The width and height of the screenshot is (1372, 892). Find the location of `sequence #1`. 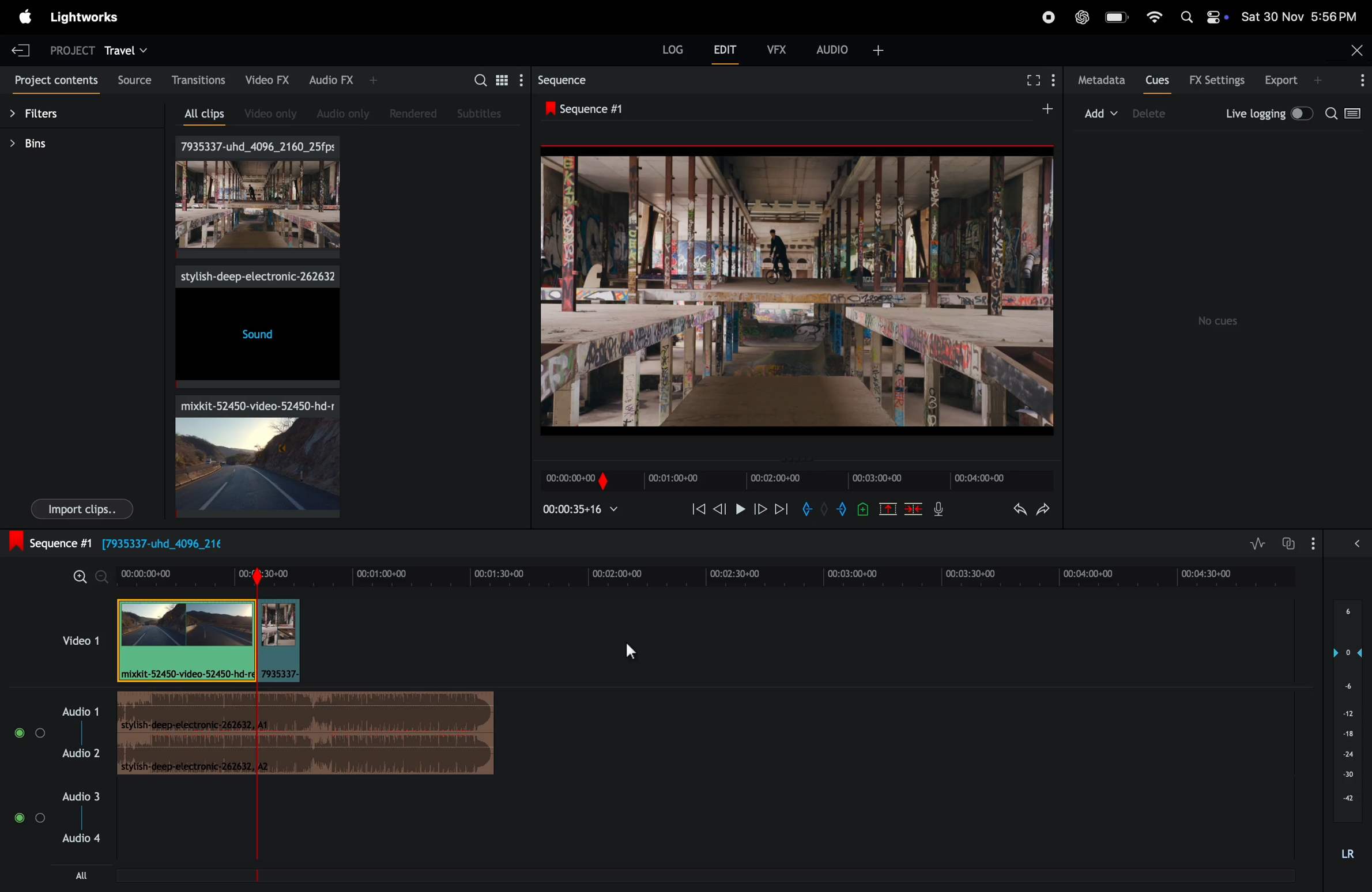

sequence #1 is located at coordinates (589, 110).